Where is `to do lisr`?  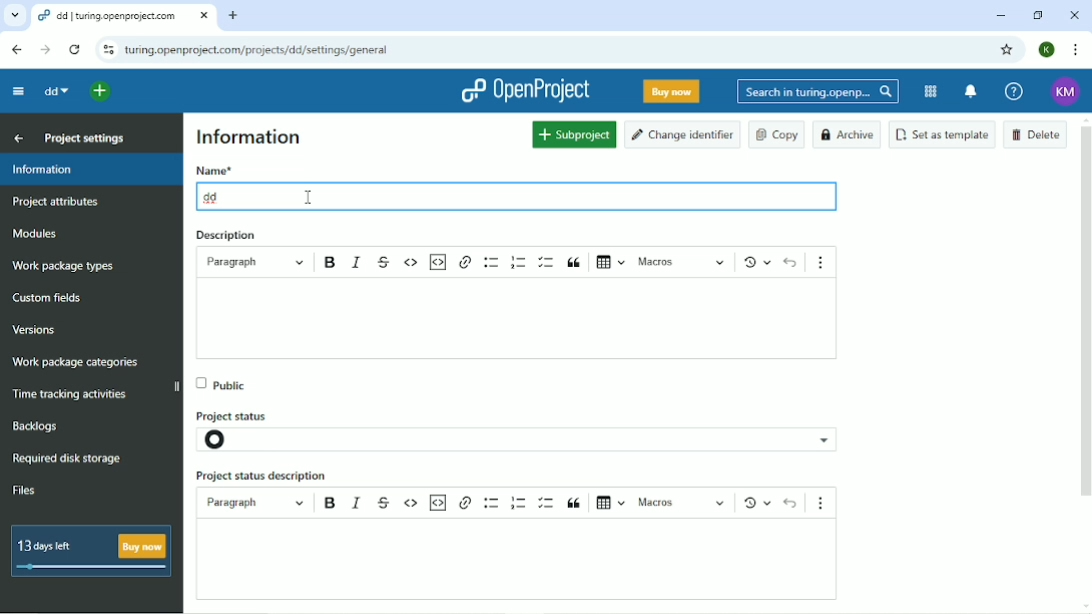
to do lisr is located at coordinates (547, 501).